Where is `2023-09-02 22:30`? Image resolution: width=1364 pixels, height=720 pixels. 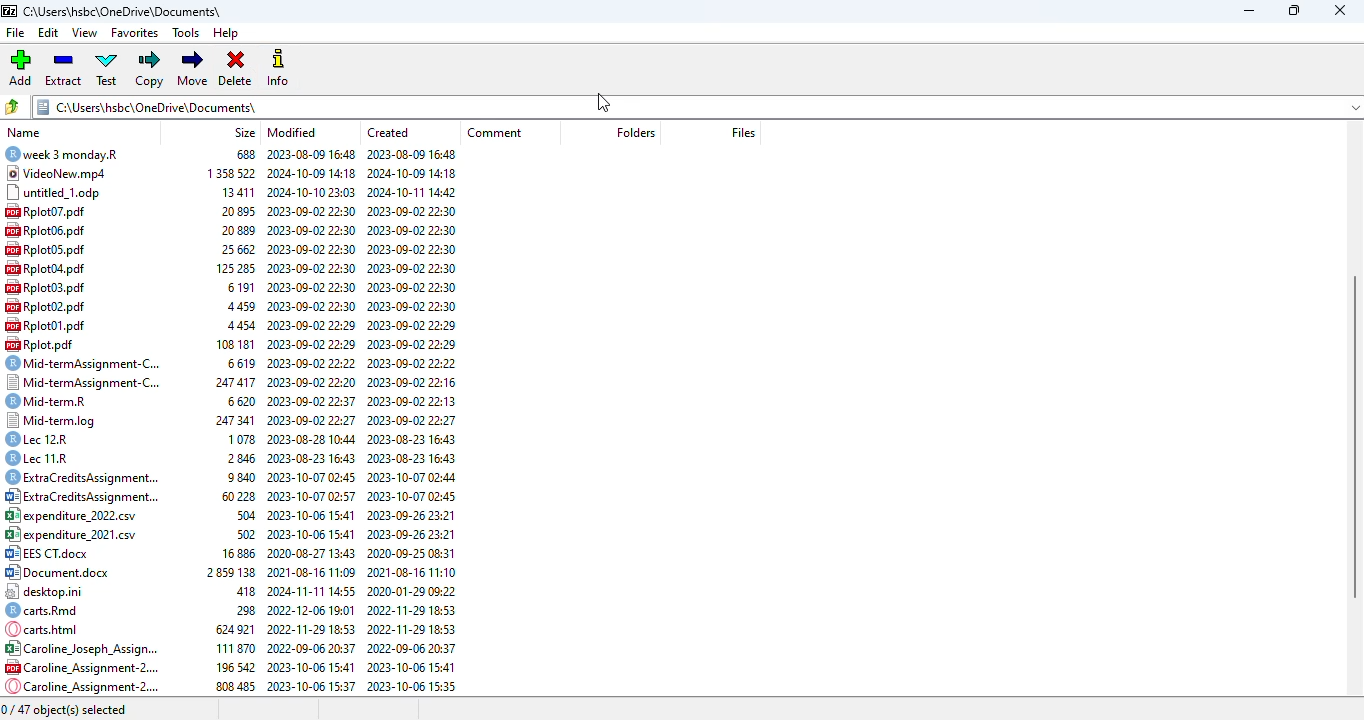 2023-09-02 22:30 is located at coordinates (312, 249).